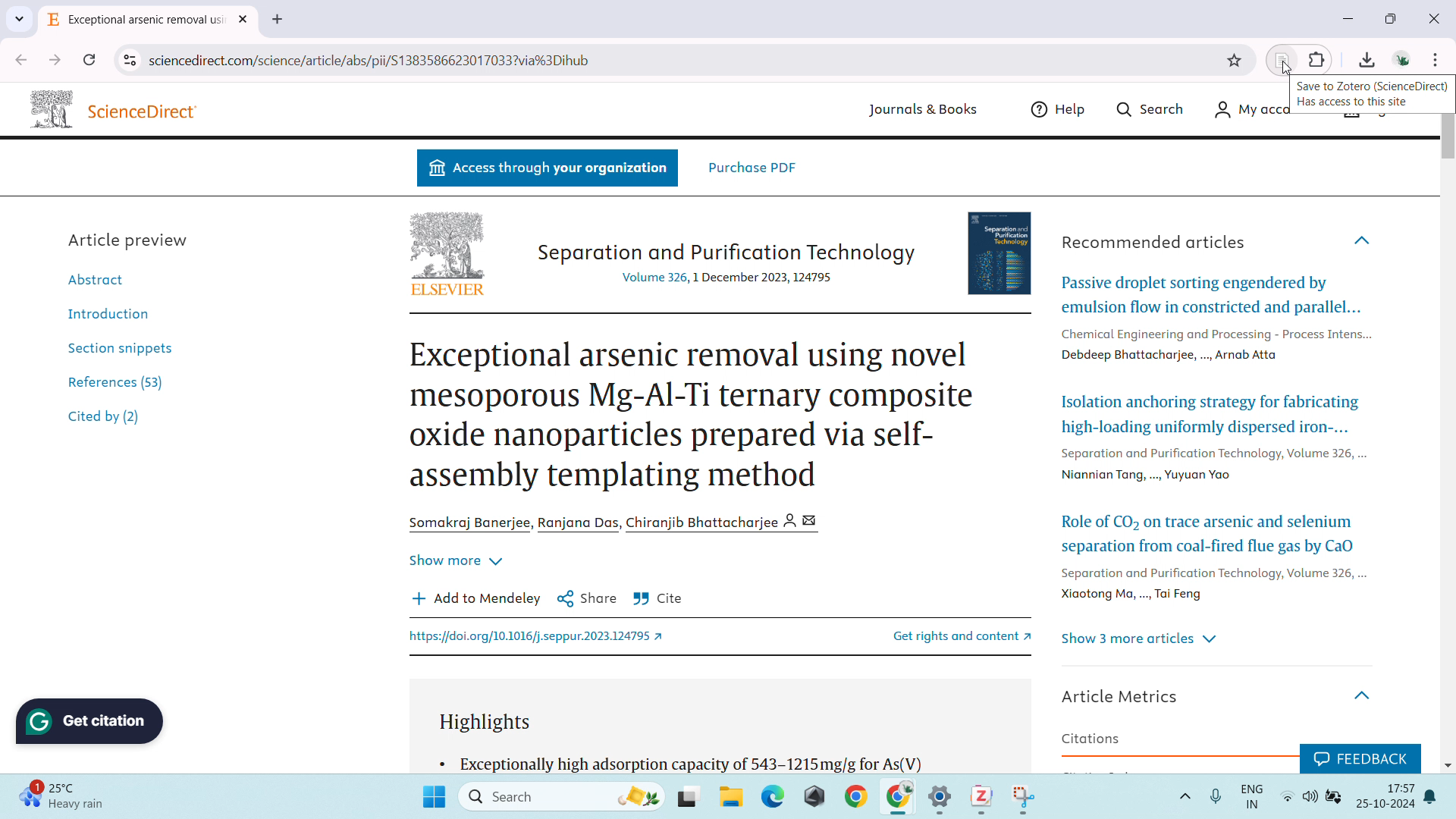 This screenshot has height=819, width=1456. I want to click on Add to Mendeley, so click(476, 598).